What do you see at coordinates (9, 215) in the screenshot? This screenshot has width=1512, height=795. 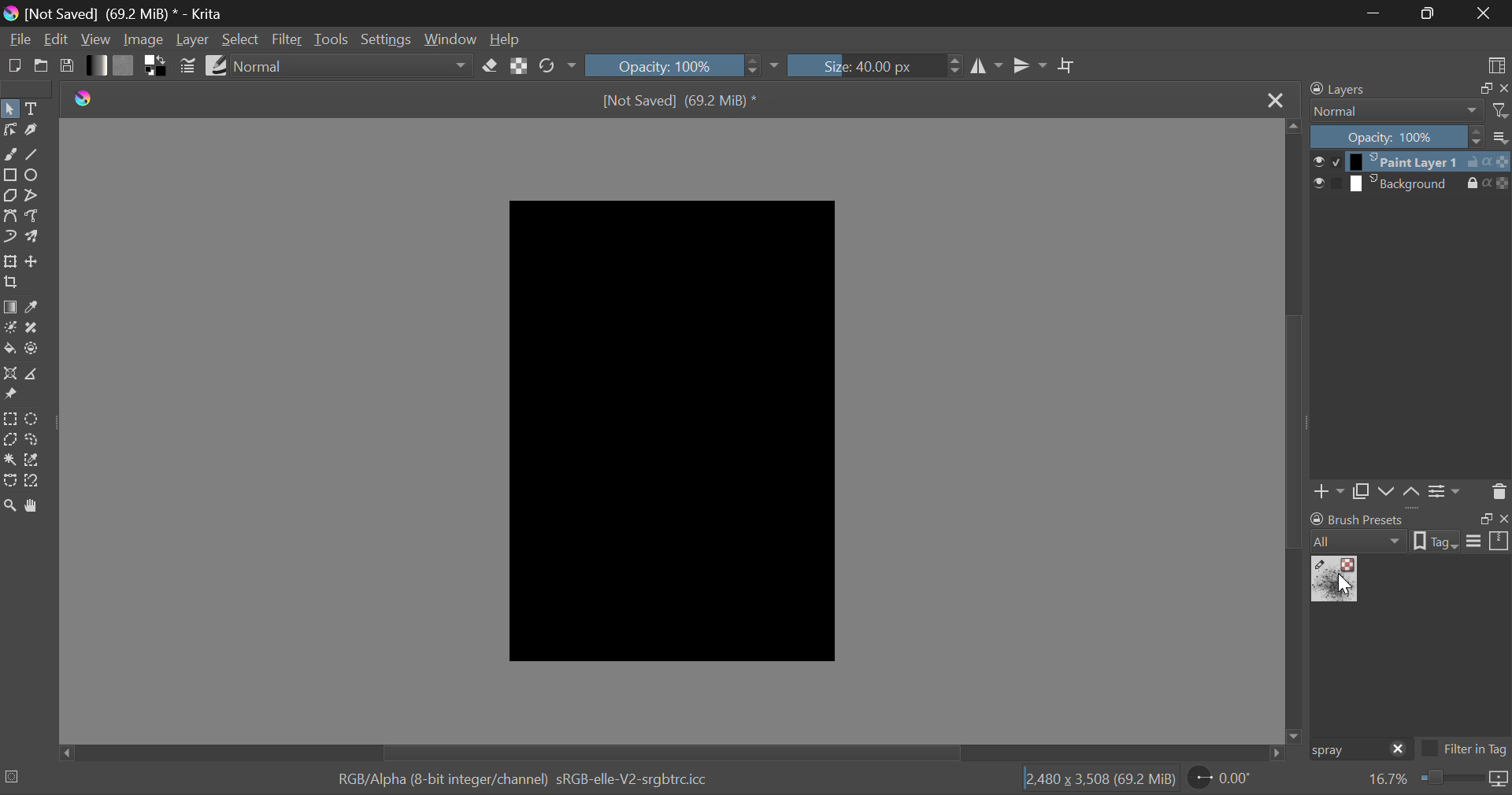 I see `Bezier Curve` at bounding box center [9, 215].